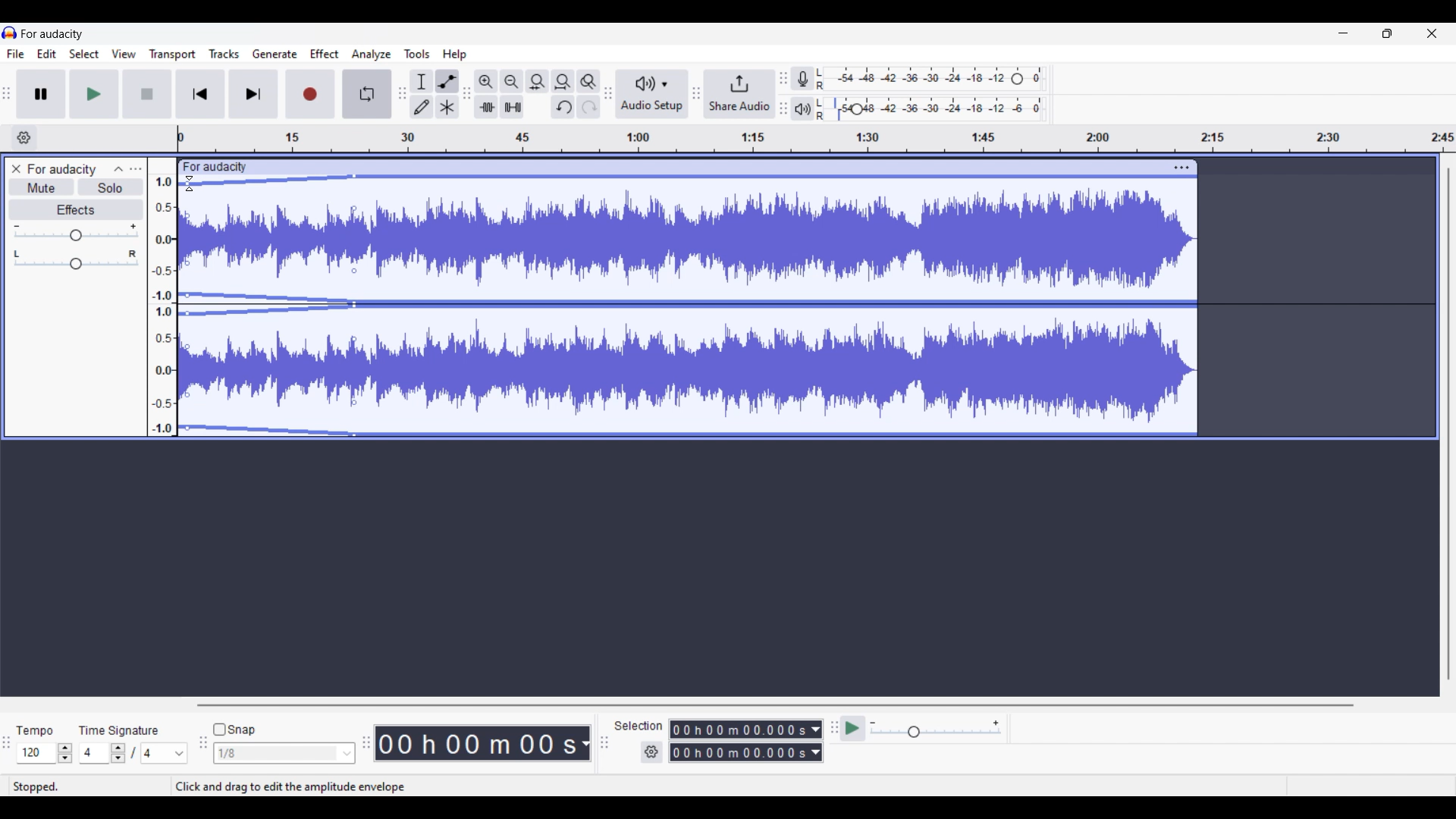 The height and width of the screenshot is (819, 1456). I want to click on Duration measurement options, so click(585, 744).